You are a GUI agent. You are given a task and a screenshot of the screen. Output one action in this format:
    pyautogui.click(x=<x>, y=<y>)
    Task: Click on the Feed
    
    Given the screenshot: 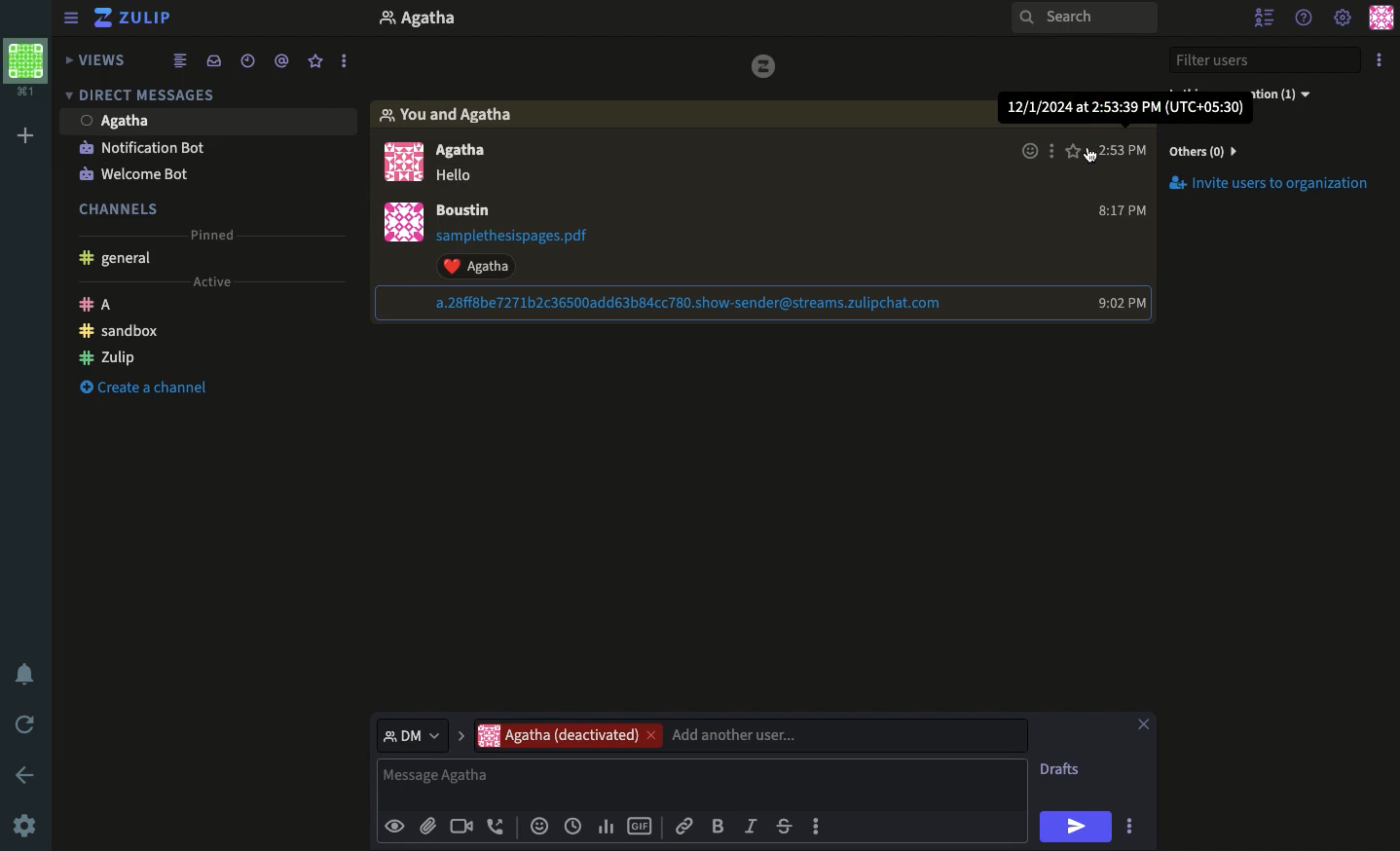 What is the action you would take?
    pyautogui.click(x=182, y=61)
    